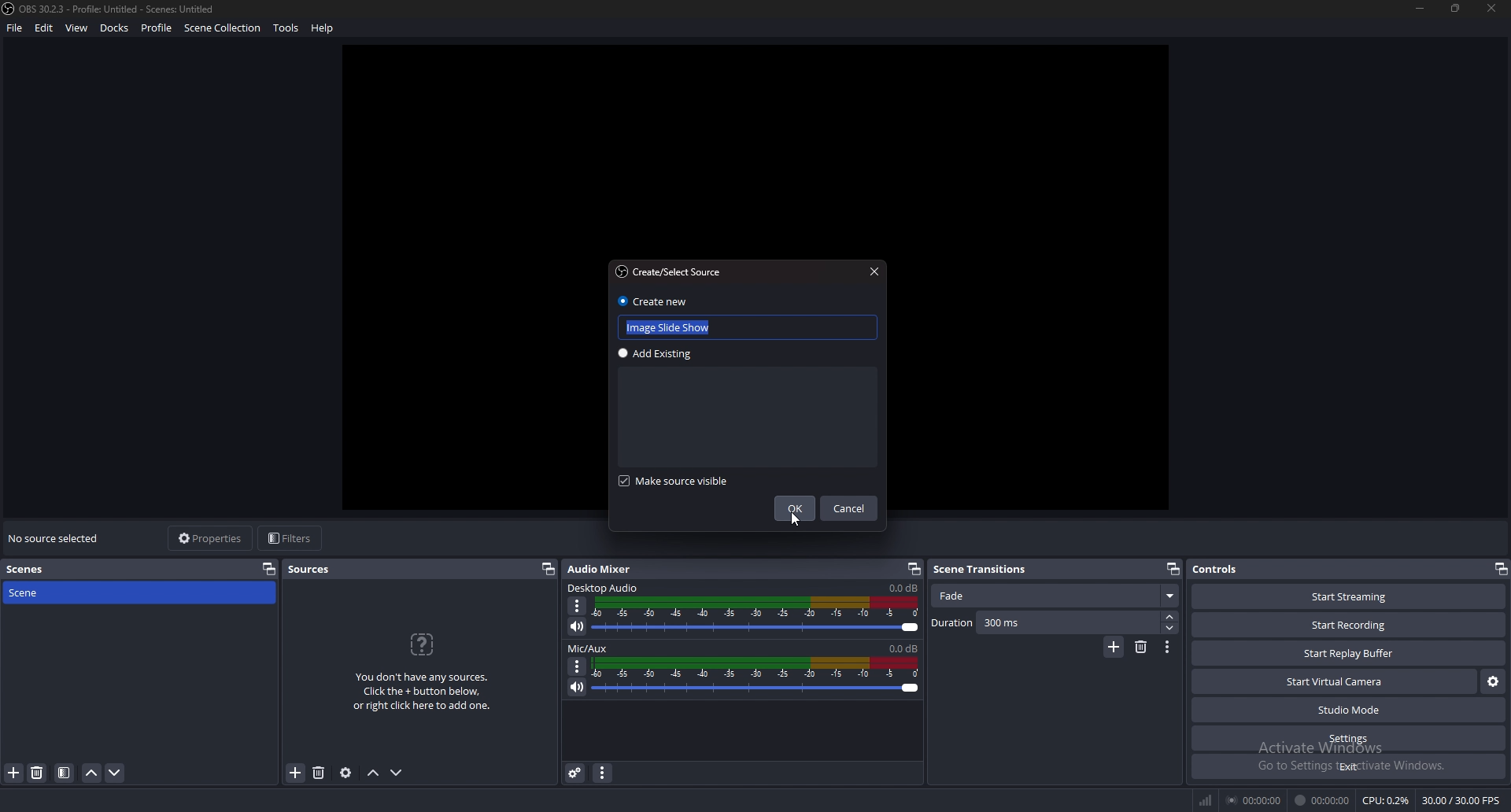 This screenshot has width=1511, height=812. I want to click on options, so click(578, 606).